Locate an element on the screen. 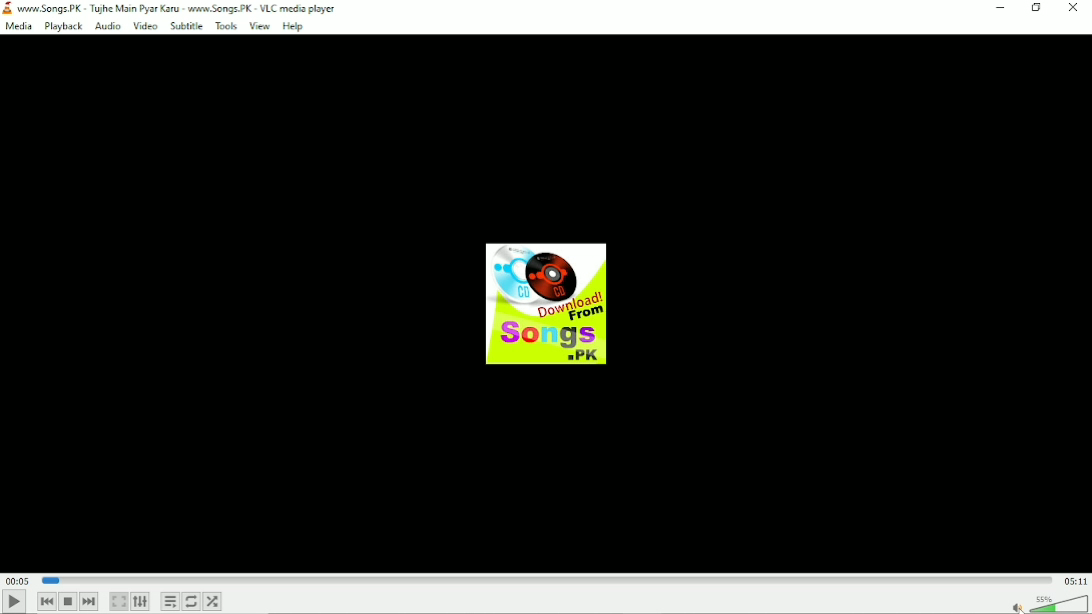  Toggle playlist is located at coordinates (171, 601).